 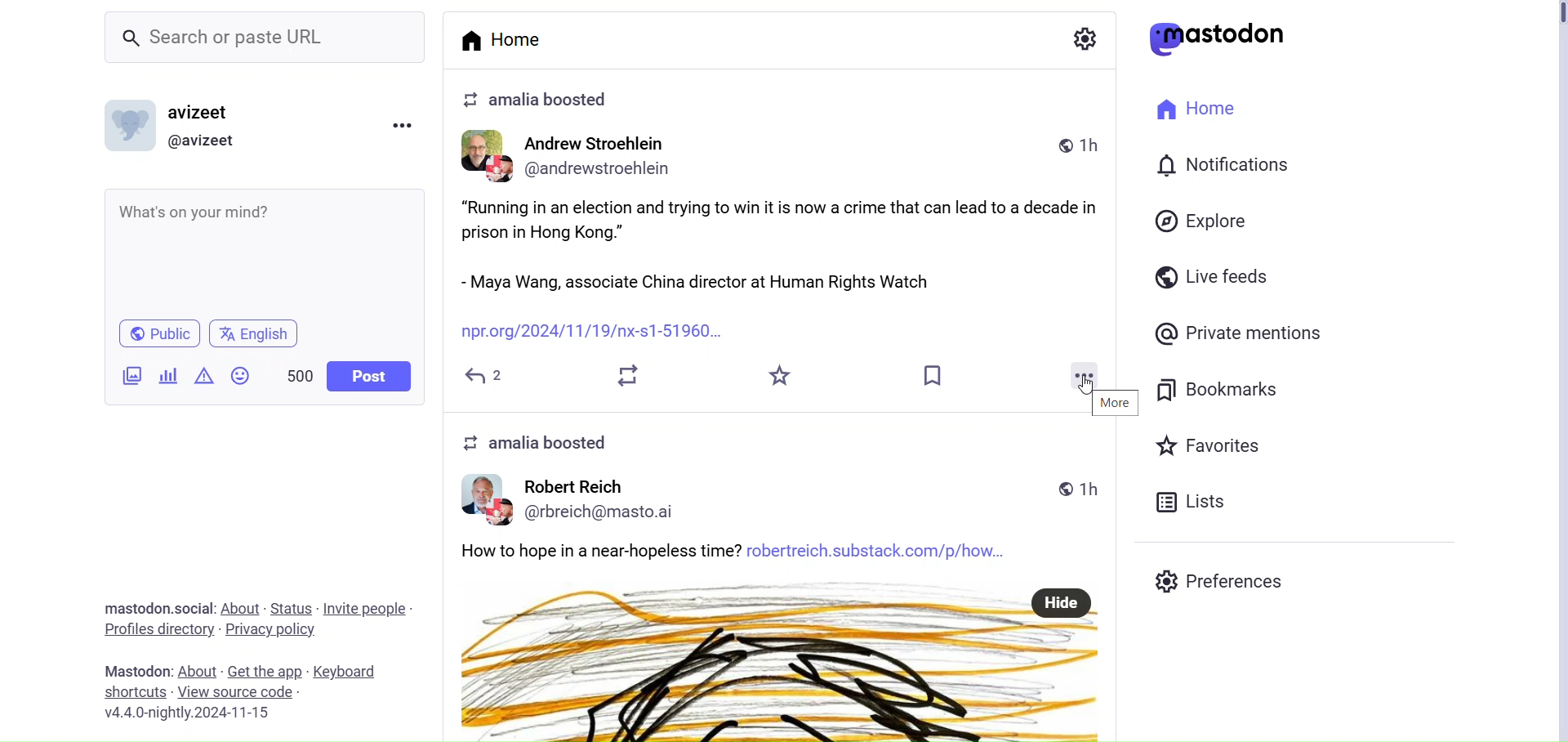 I want to click on Get the app, so click(x=267, y=669).